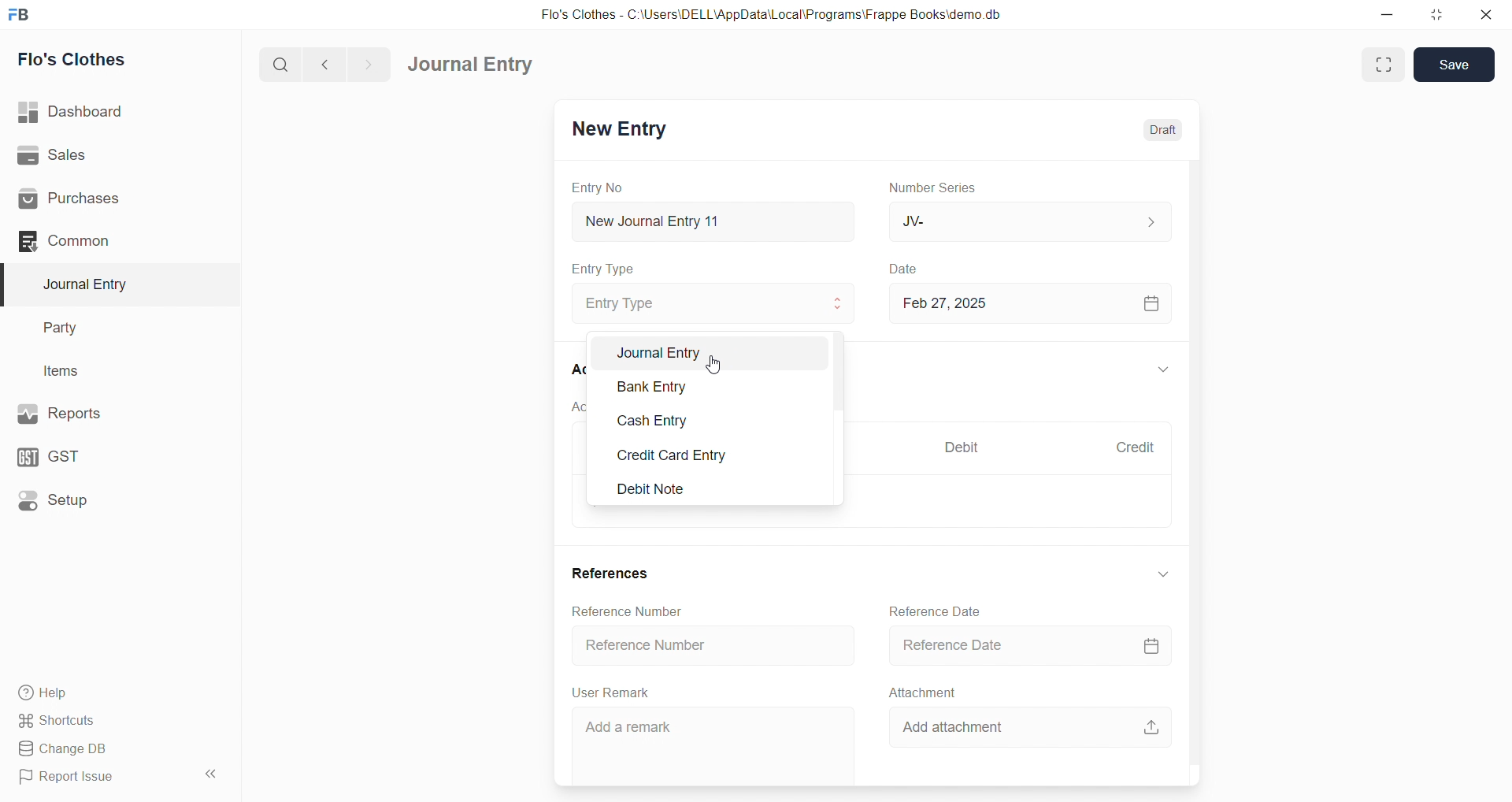  Describe the element at coordinates (1137, 448) in the screenshot. I see `Credit` at that location.